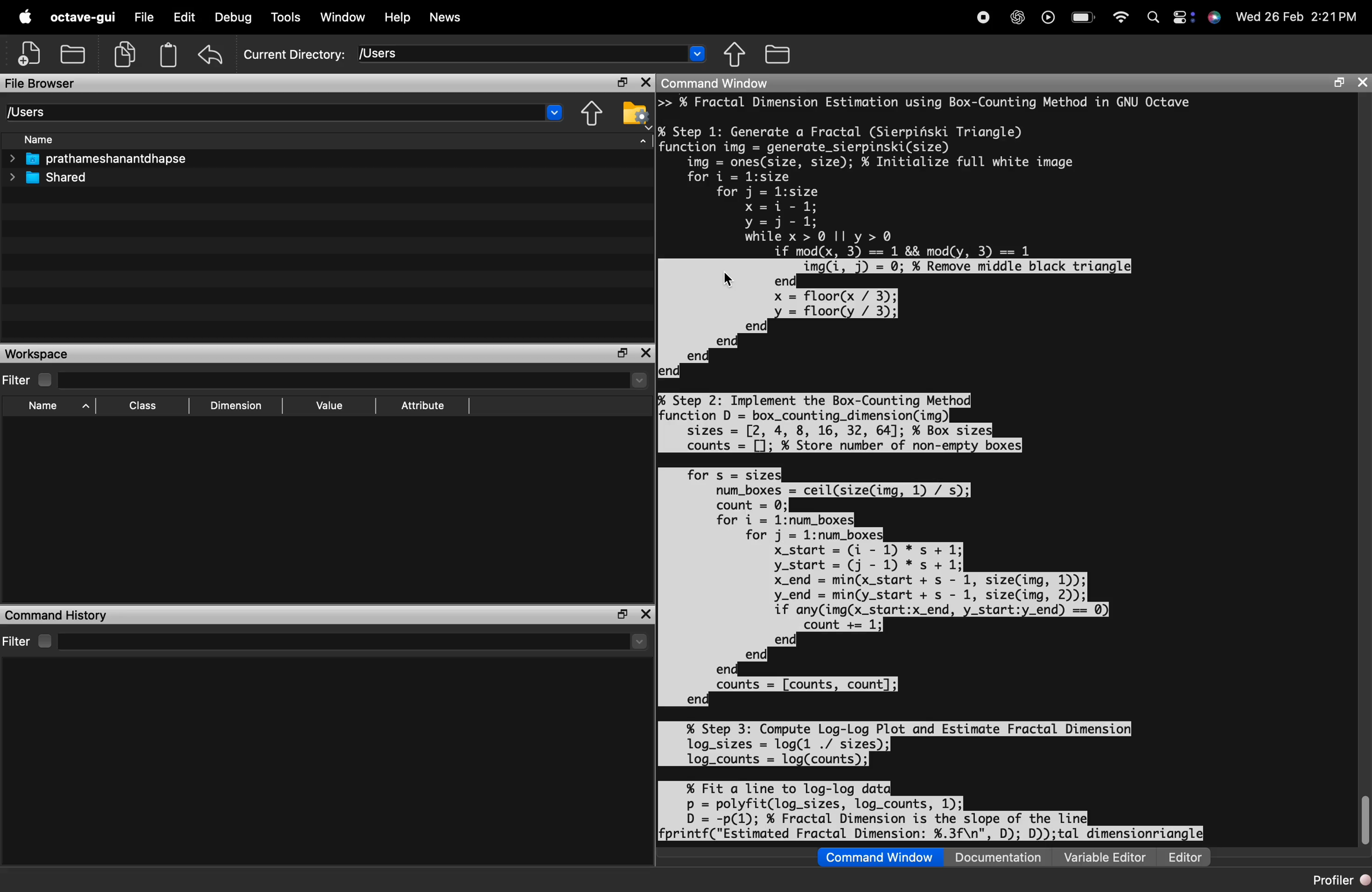 The image size is (1372, 892). Describe the element at coordinates (1216, 14) in the screenshot. I see `siri` at that location.